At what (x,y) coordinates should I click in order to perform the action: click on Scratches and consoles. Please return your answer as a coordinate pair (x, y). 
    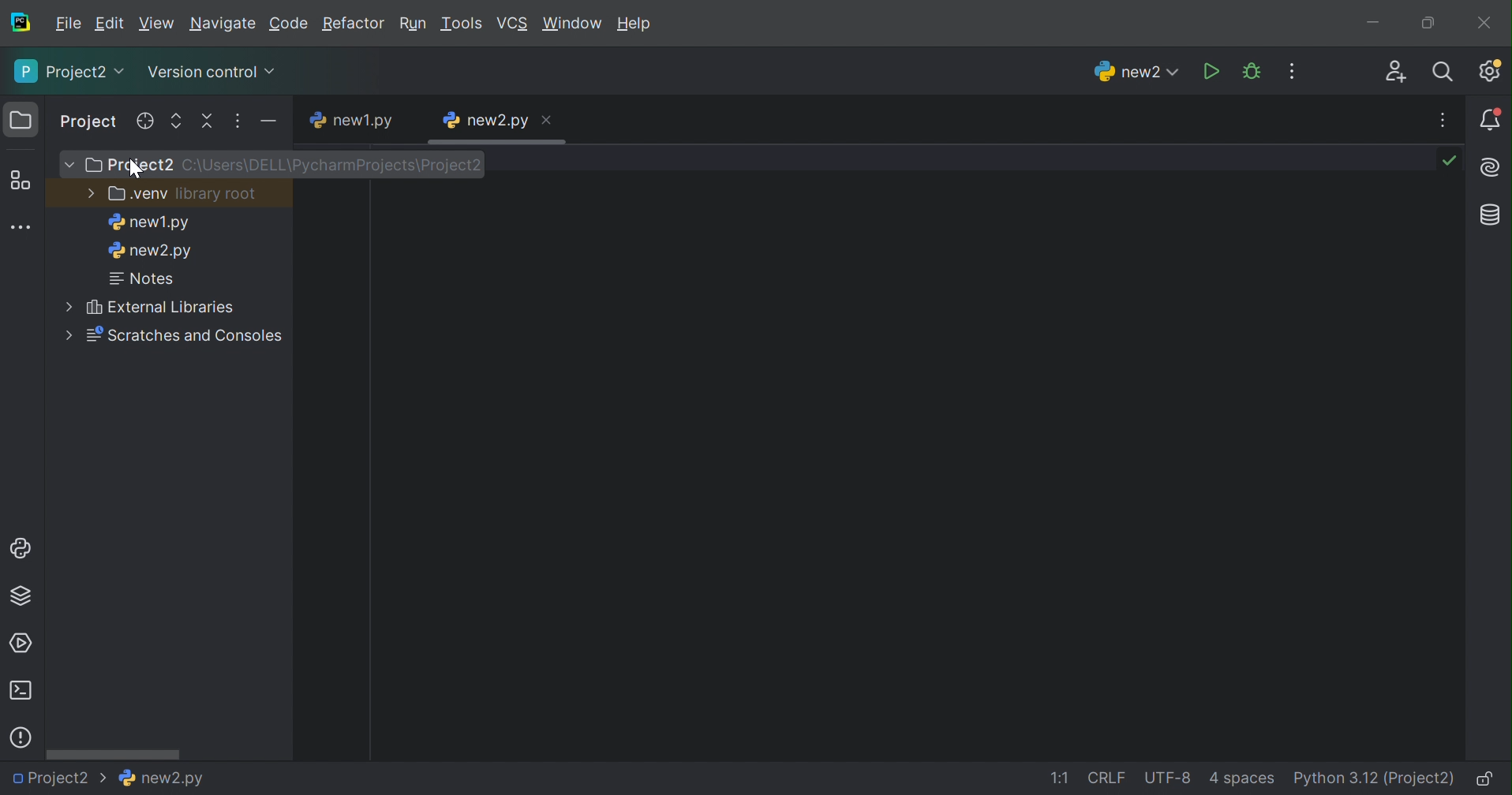
    Looking at the image, I should click on (190, 336).